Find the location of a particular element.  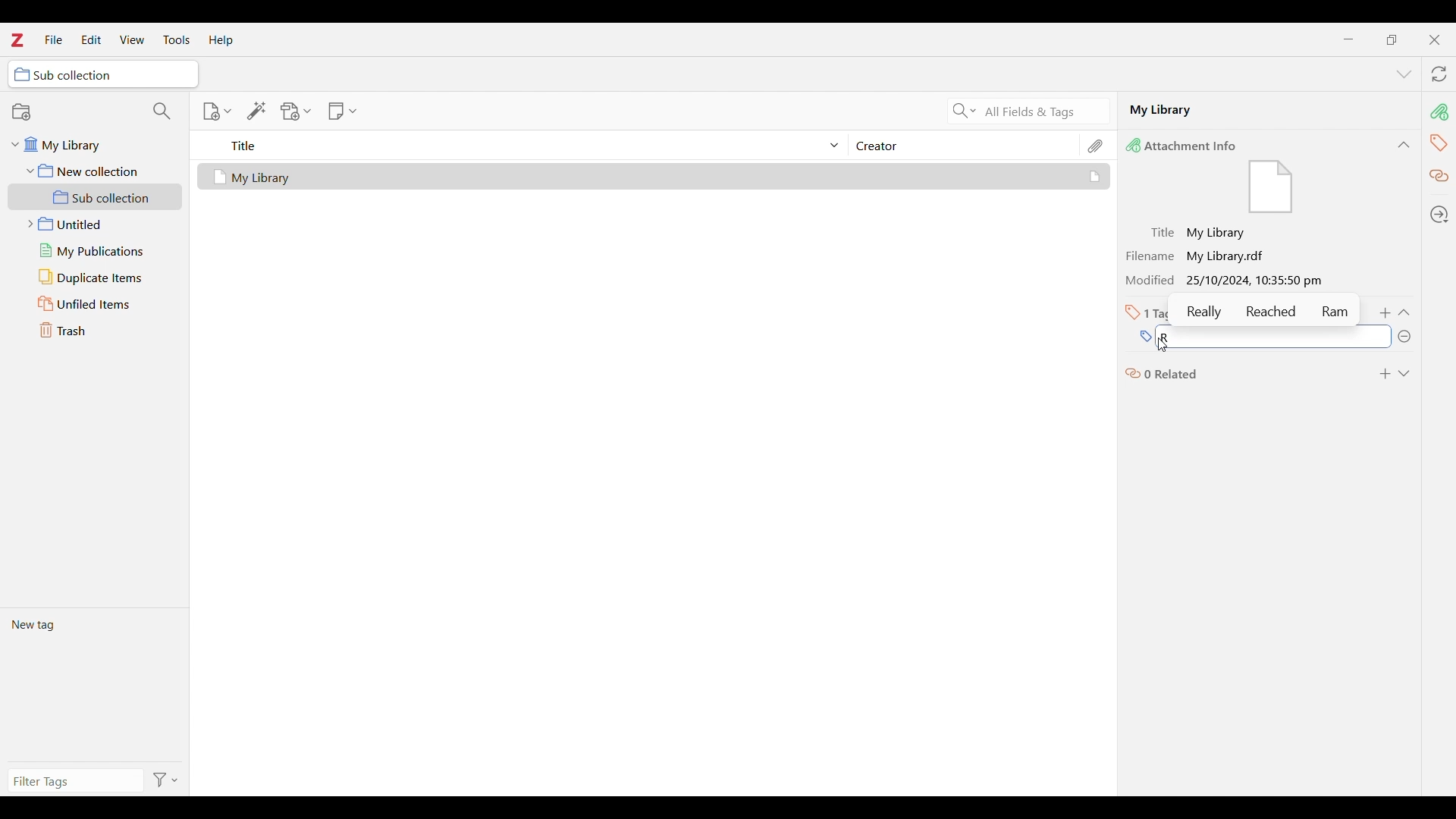

Help menu is located at coordinates (221, 40).